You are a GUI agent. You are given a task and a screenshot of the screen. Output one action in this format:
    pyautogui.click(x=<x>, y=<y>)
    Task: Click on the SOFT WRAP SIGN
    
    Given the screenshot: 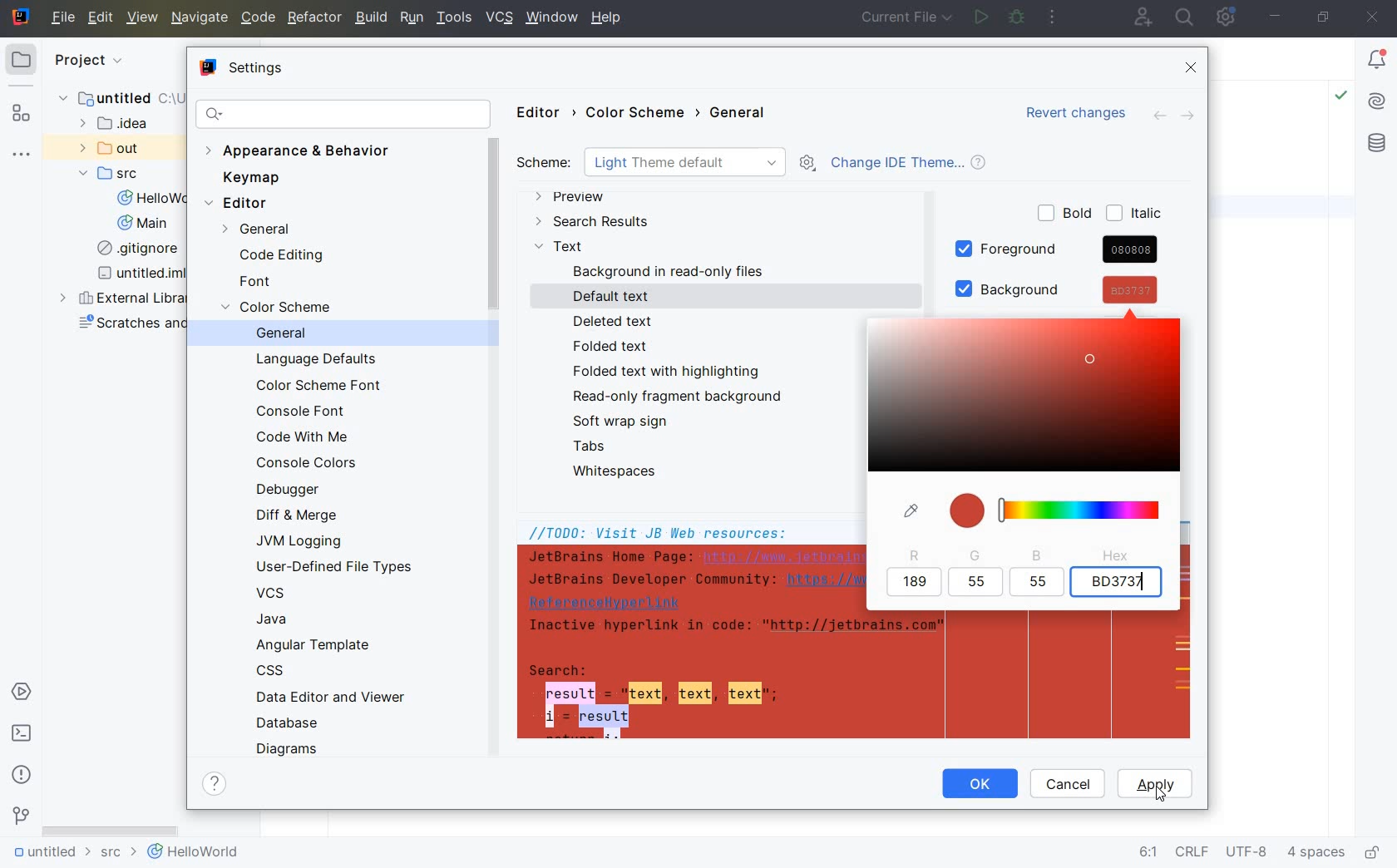 What is the action you would take?
    pyautogui.click(x=625, y=422)
    